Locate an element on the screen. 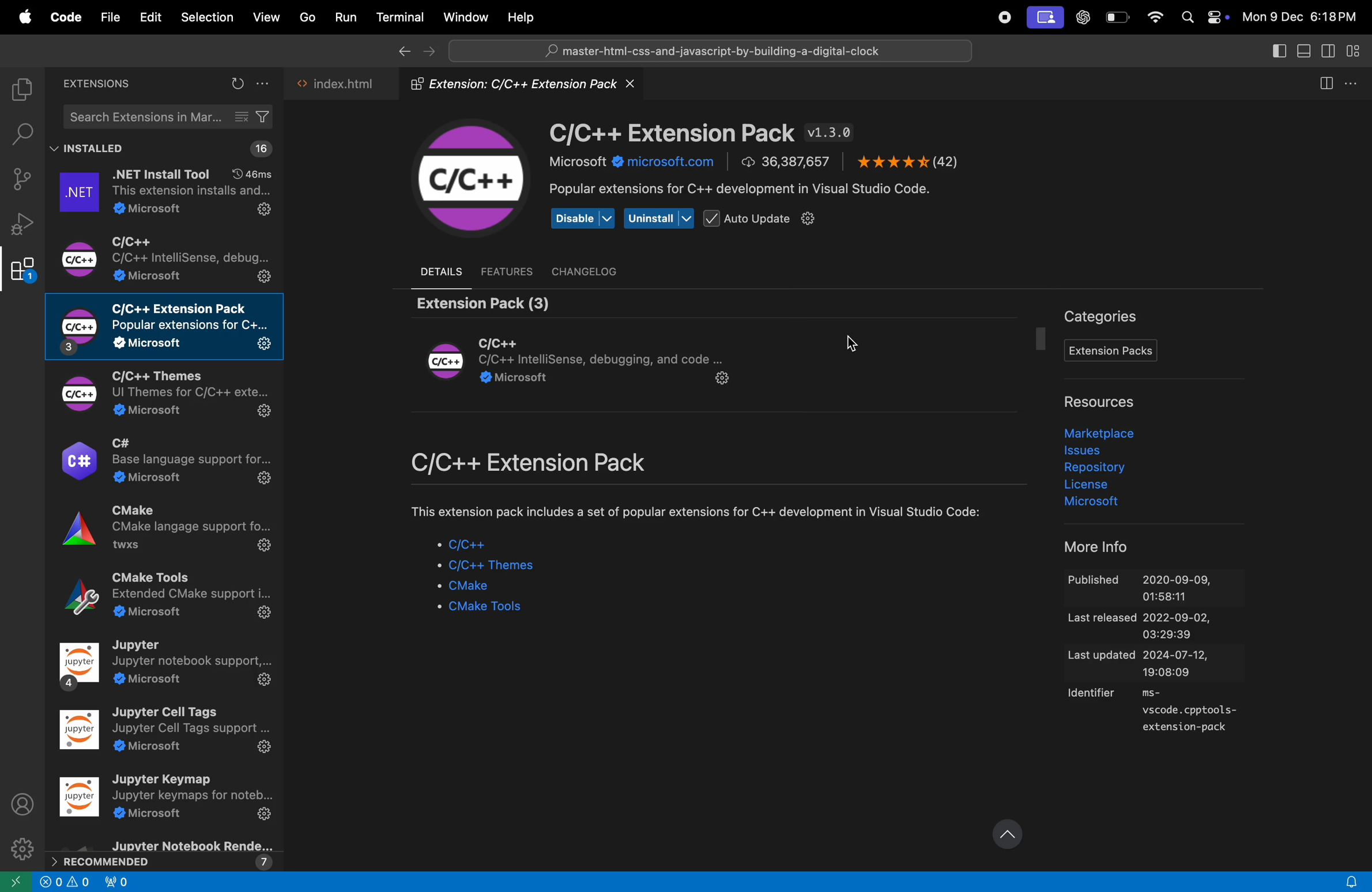  Terminal is located at coordinates (398, 18).